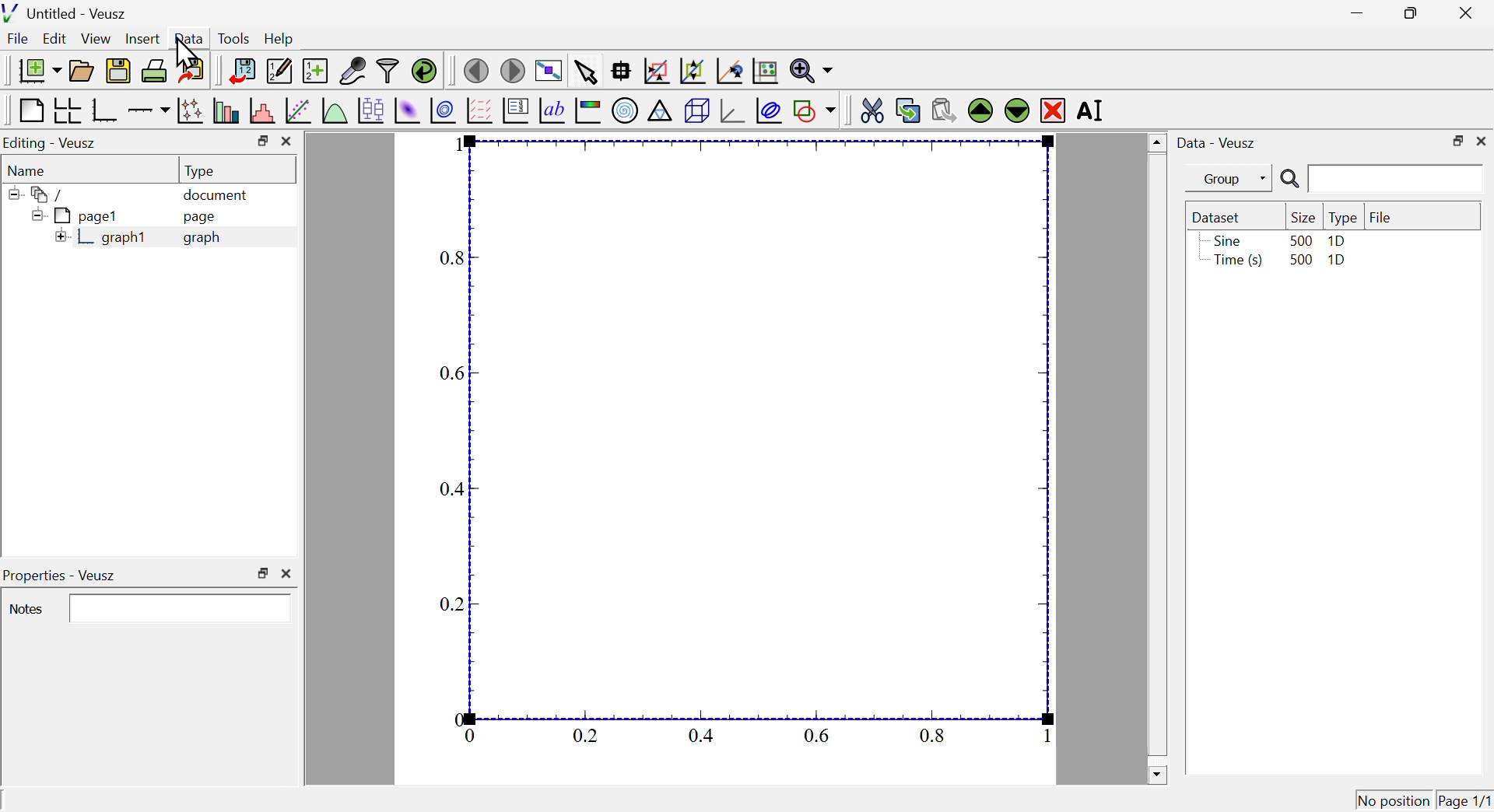 Image resolution: width=1494 pixels, height=812 pixels. Describe the element at coordinates (67, 111) in the screenshot. I see `arrange graphs in a grid` at that location.